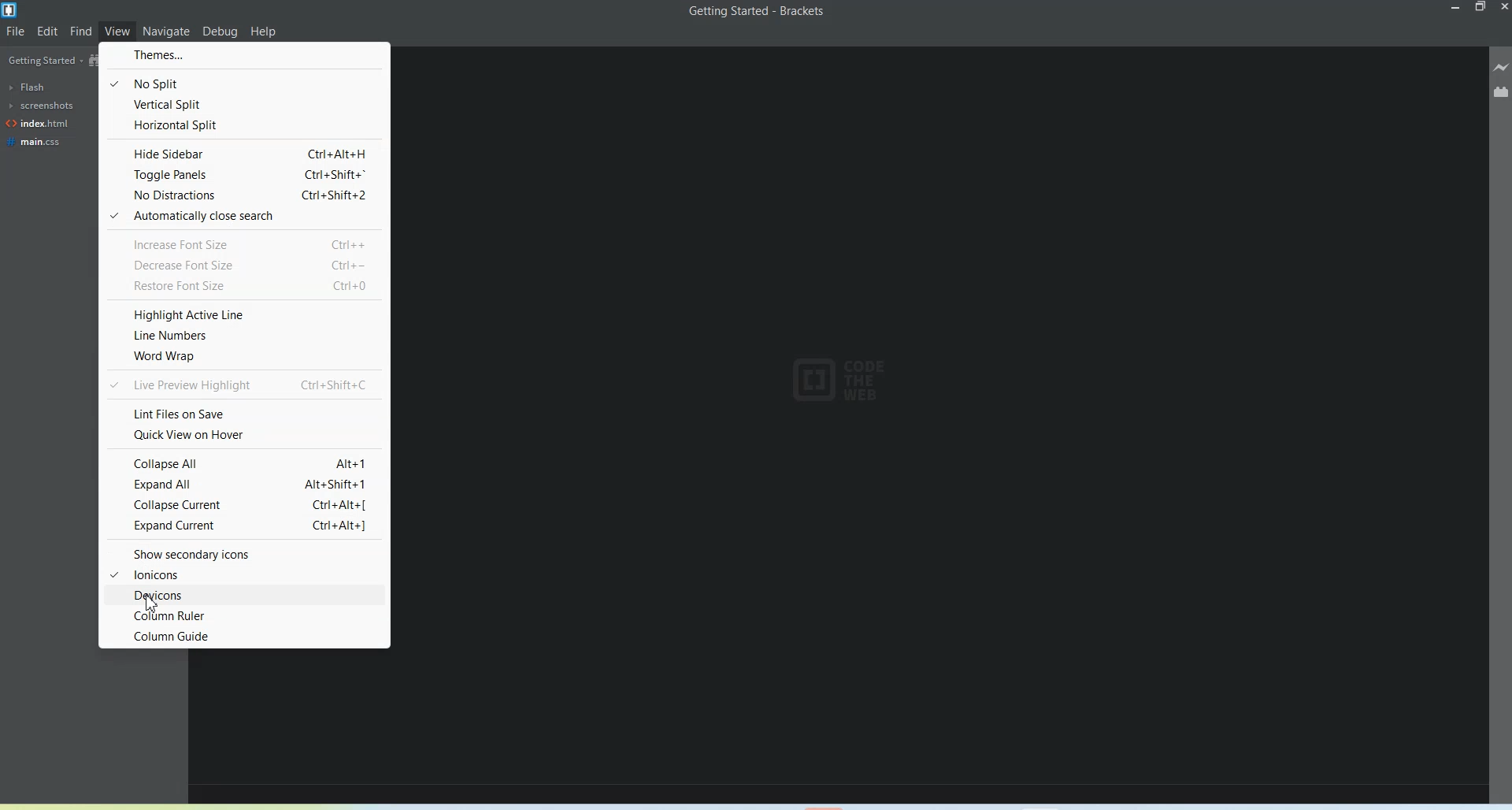 The height and width of the screenshot is (810, 1512). What do you see at coordinates (243, 54) in the screenshot?
I see `Themes` at bounding box center [243, 54].